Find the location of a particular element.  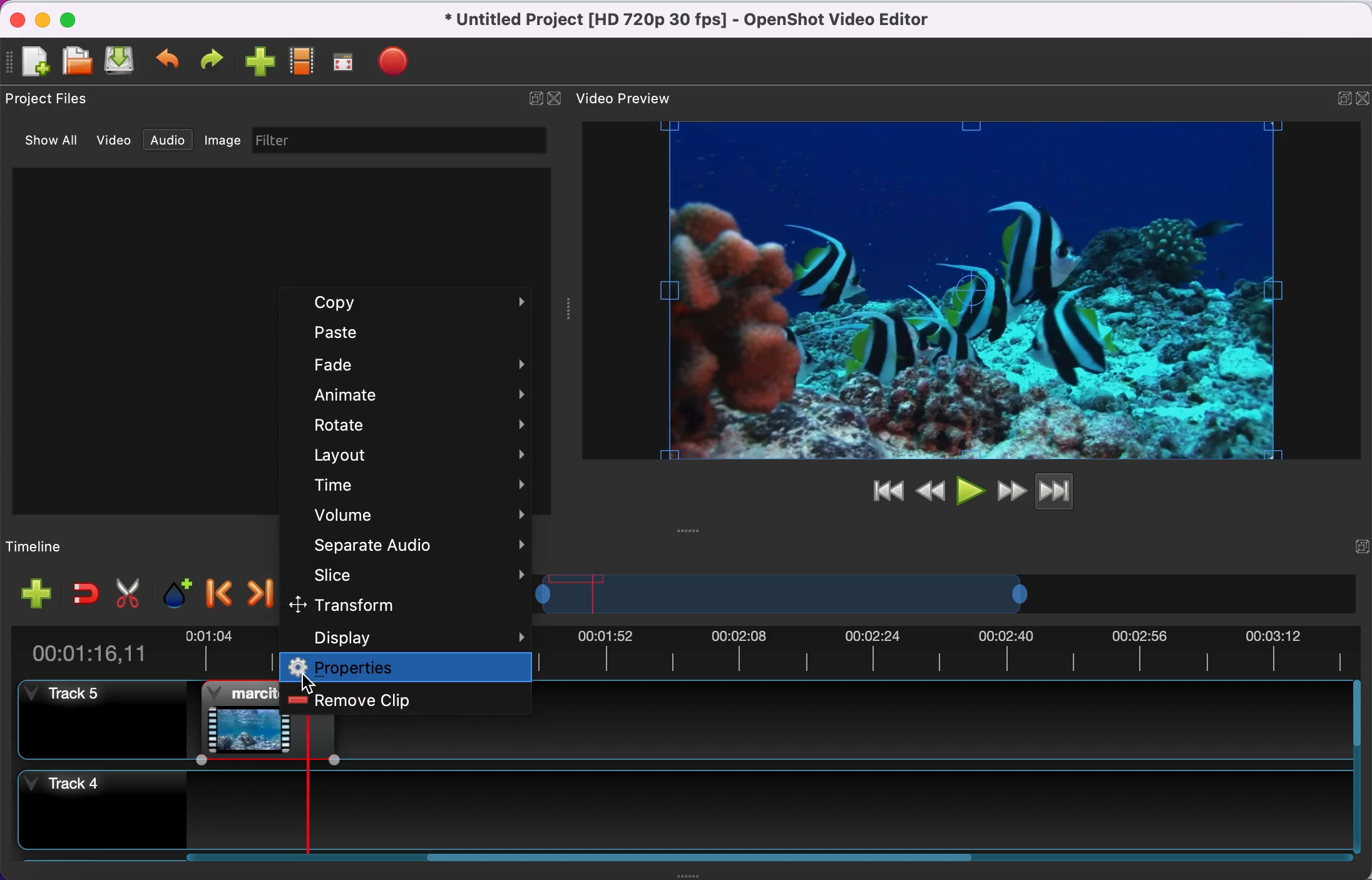

separate audio is located at coordinates (412, 545).